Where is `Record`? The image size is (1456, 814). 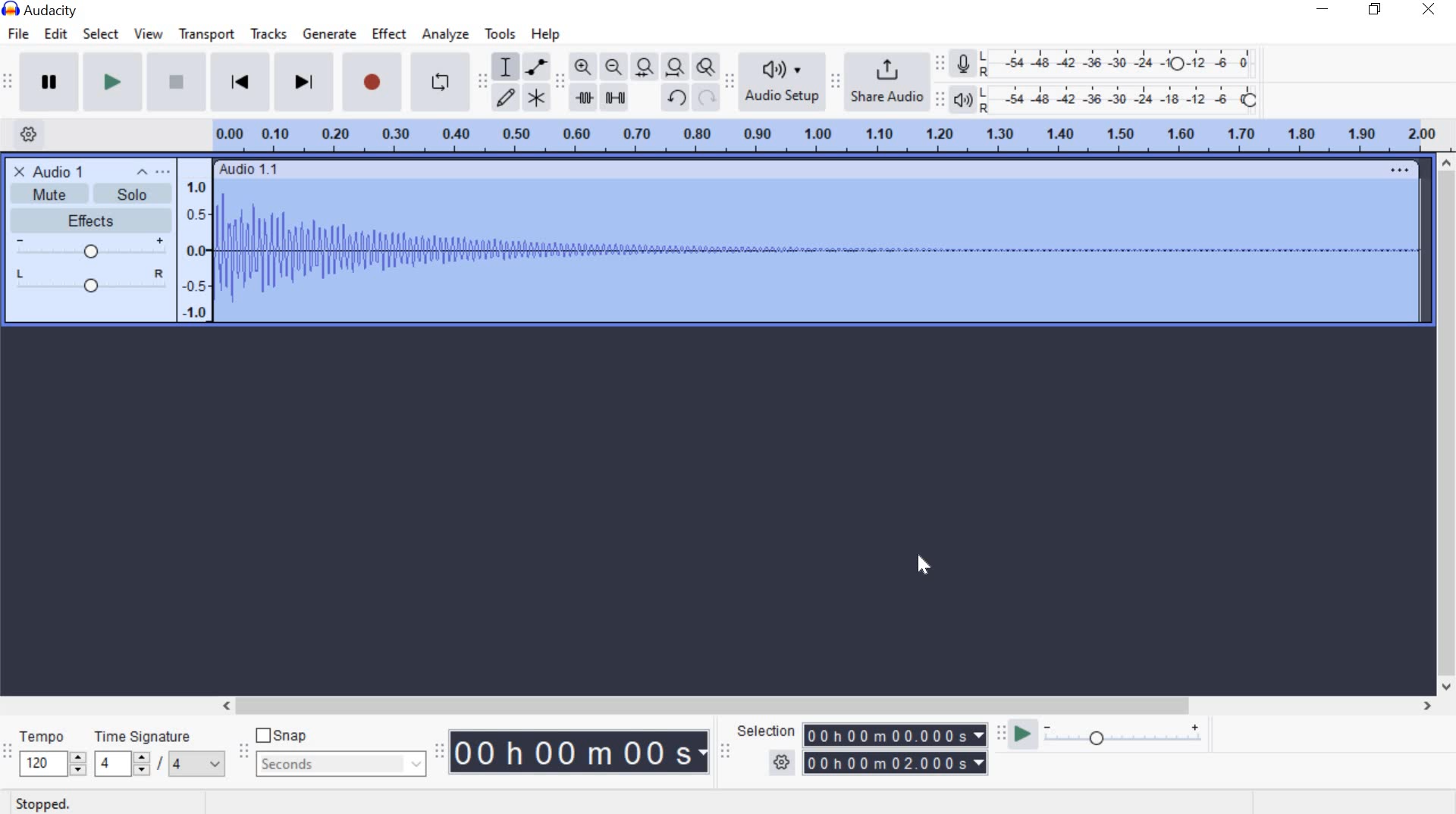
Record is located at coordinates (373, 82).